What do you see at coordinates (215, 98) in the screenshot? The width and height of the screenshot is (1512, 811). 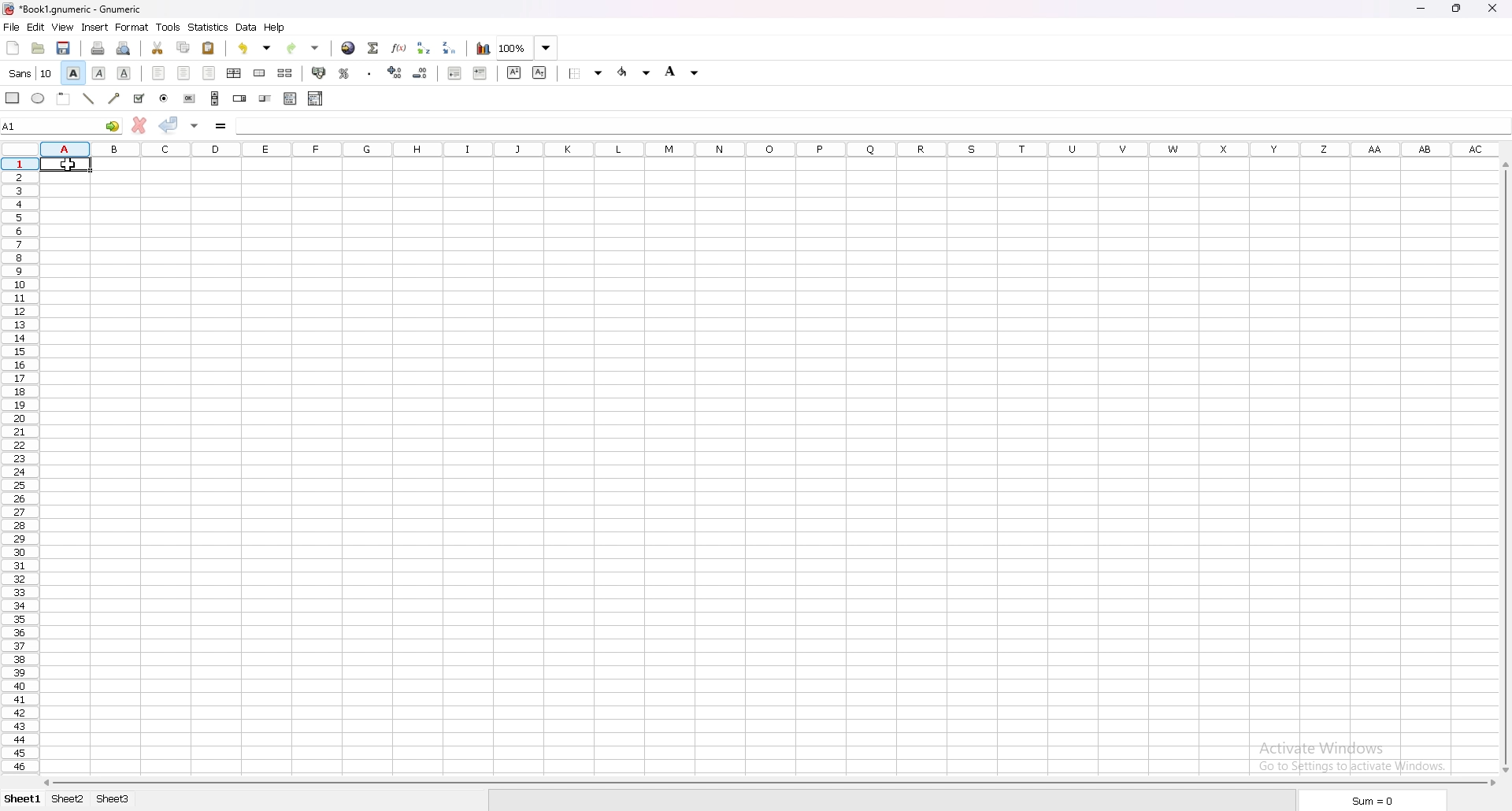 I see `scroll` at bounding box center [215, 98].